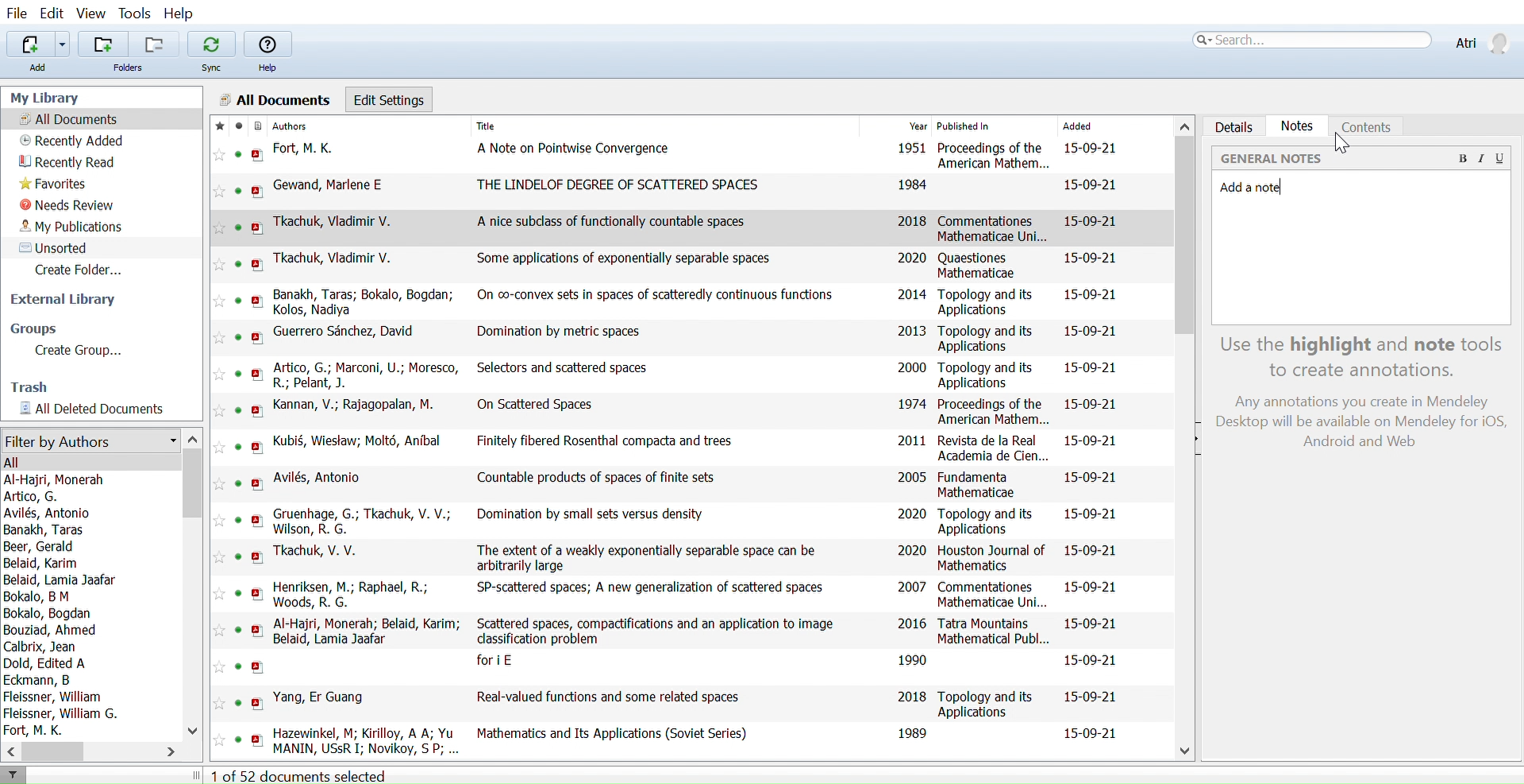 The width and height of the screenshot is (1524, 784). Describe the element at coordinates (994, 594) in the screenshot. I see `Commentationes Mathematicae Uni...` at that location.